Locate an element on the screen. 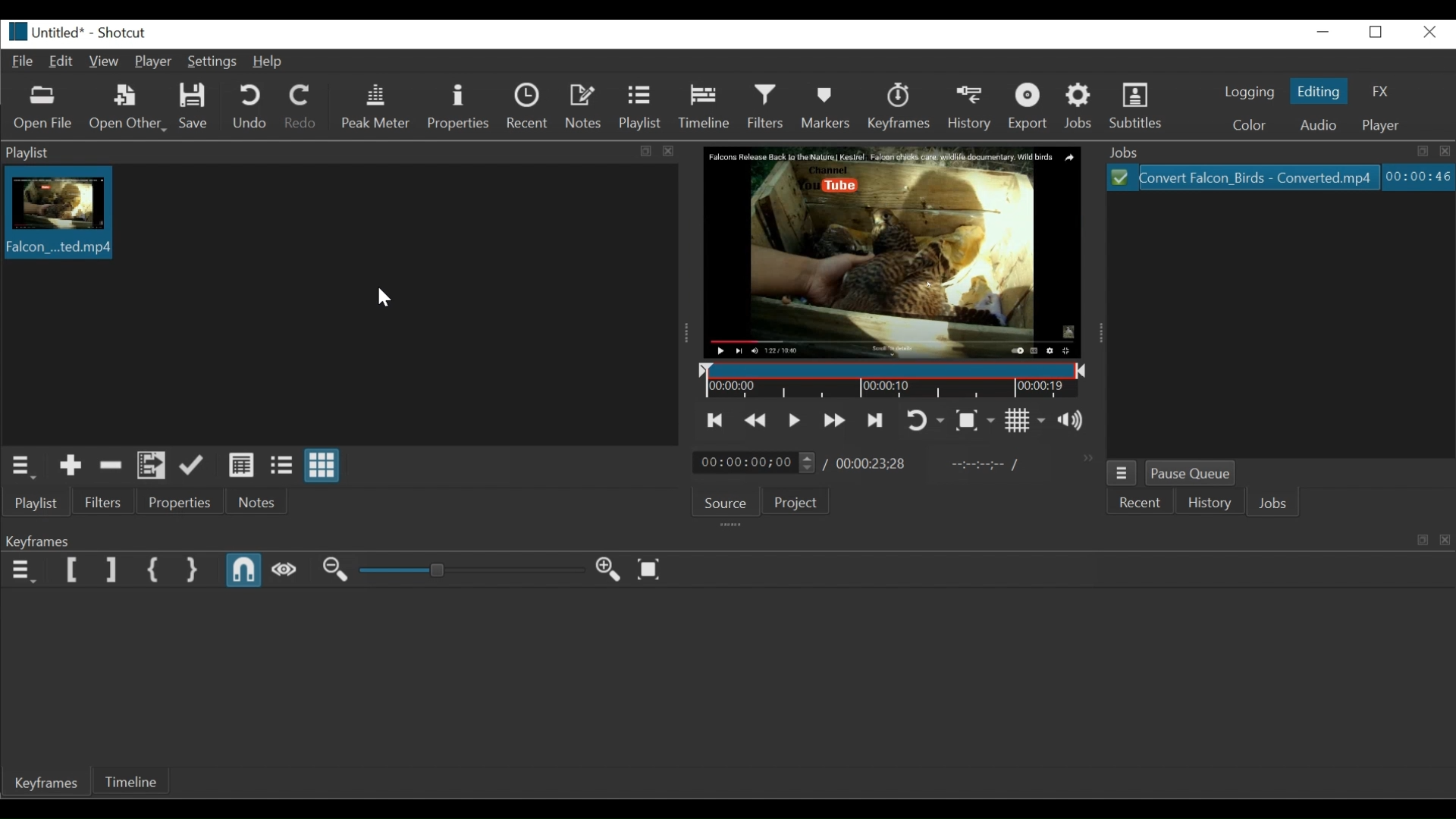 The height and width of the screenshot is (819, 1456). Peak Meter is located at coordinates (376, 105).